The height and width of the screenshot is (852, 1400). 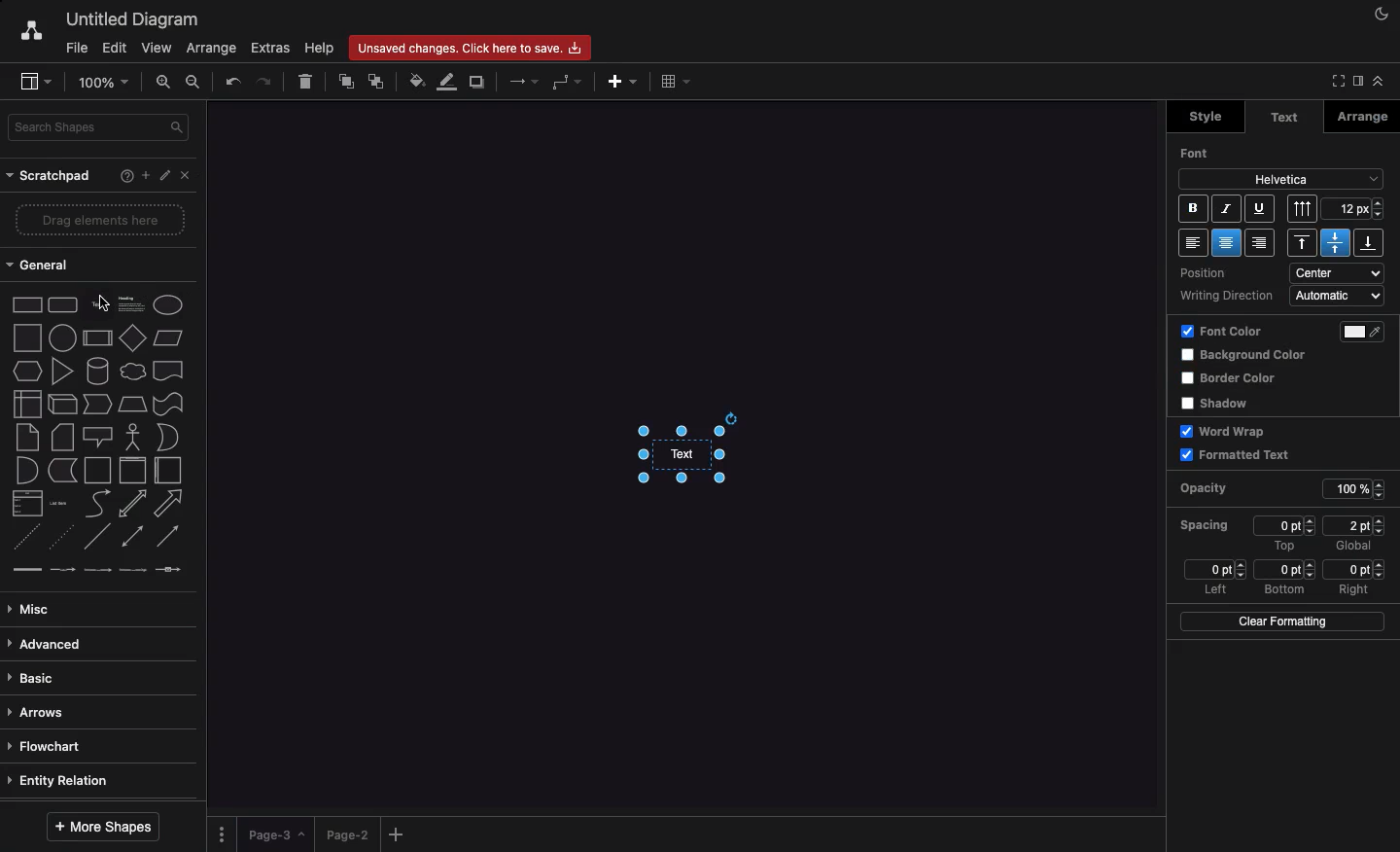 I want to click on dotted line, so click(x=59, y=536).